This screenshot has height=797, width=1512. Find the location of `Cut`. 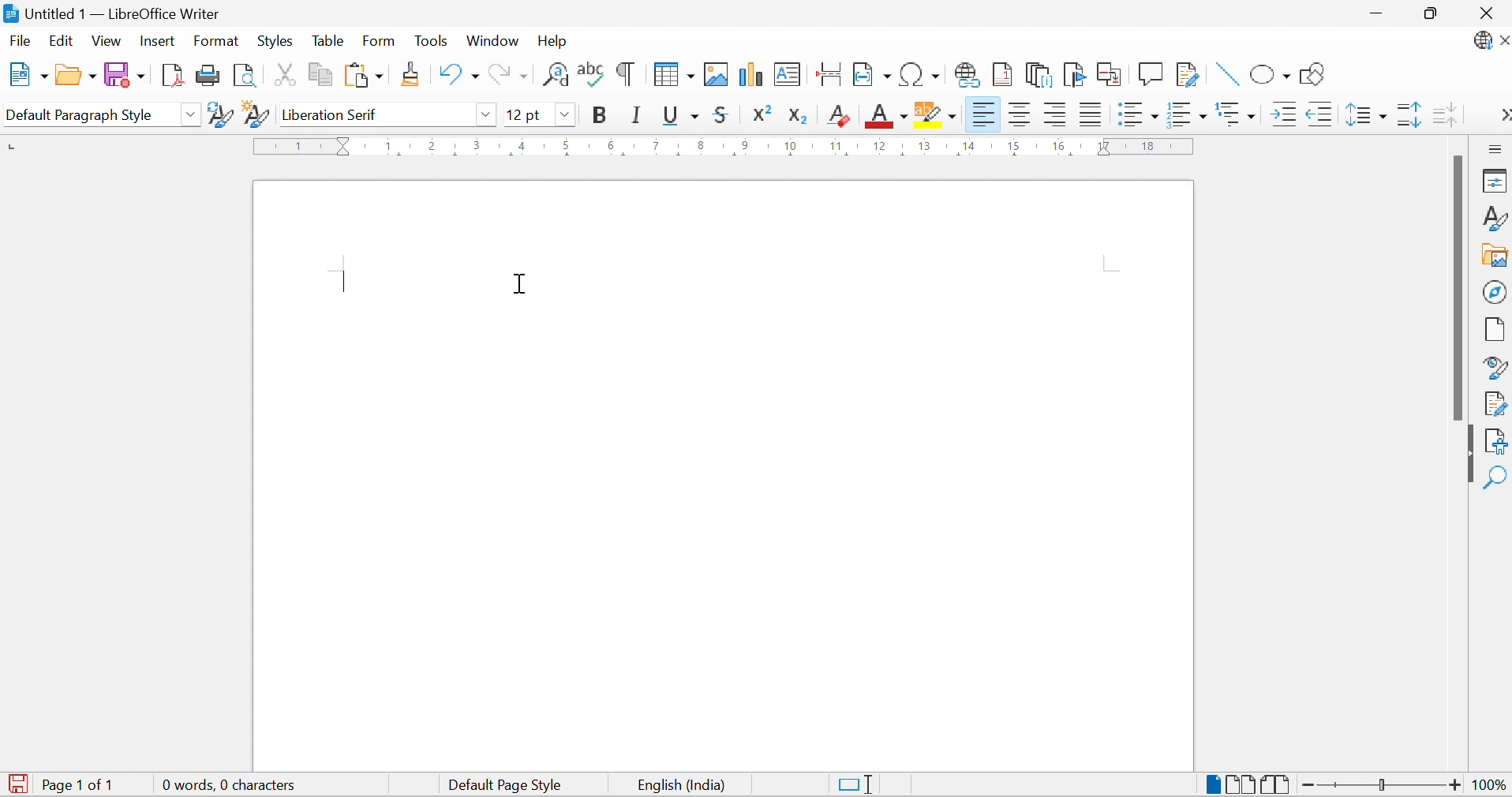

Cut is located at coordinates (281, 74).